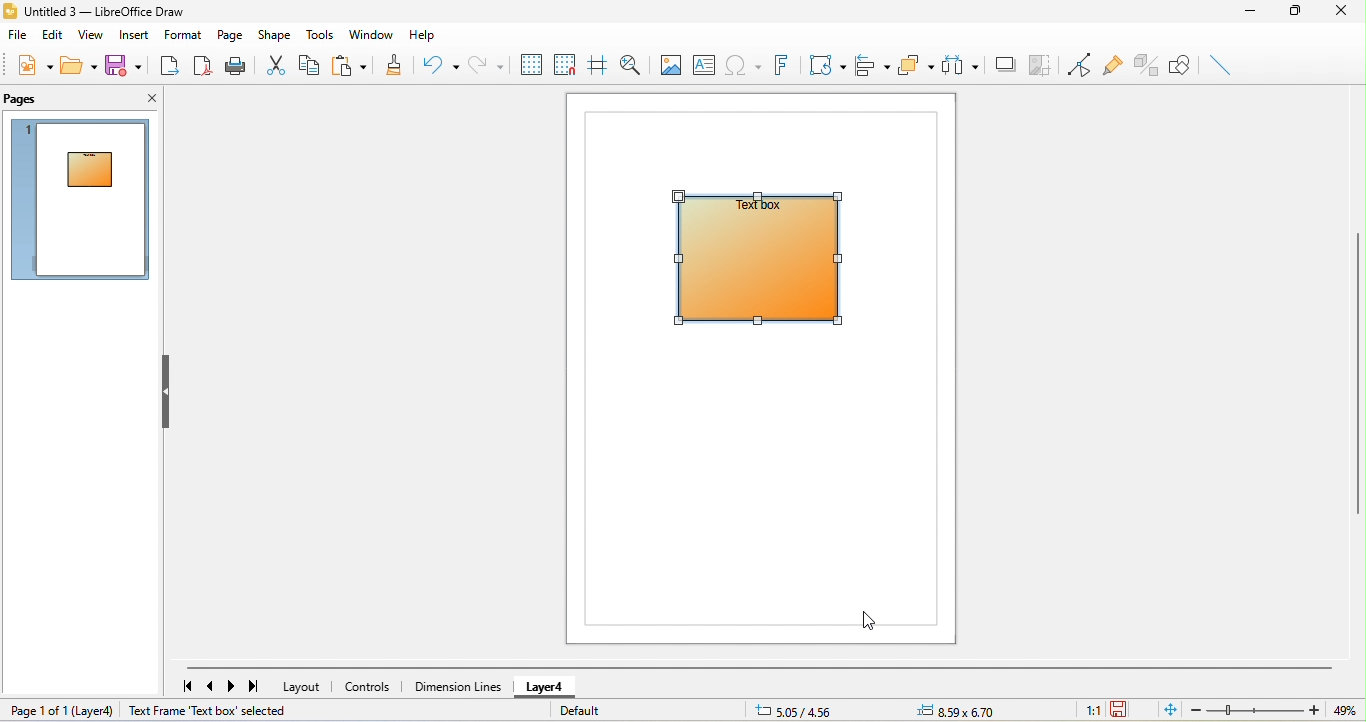 The image size is (1366, 722). What do you see at coordinates (111, 10) in the screenshot?
I see `untitled 3- libre office draw` at bounding box center [111, 10].